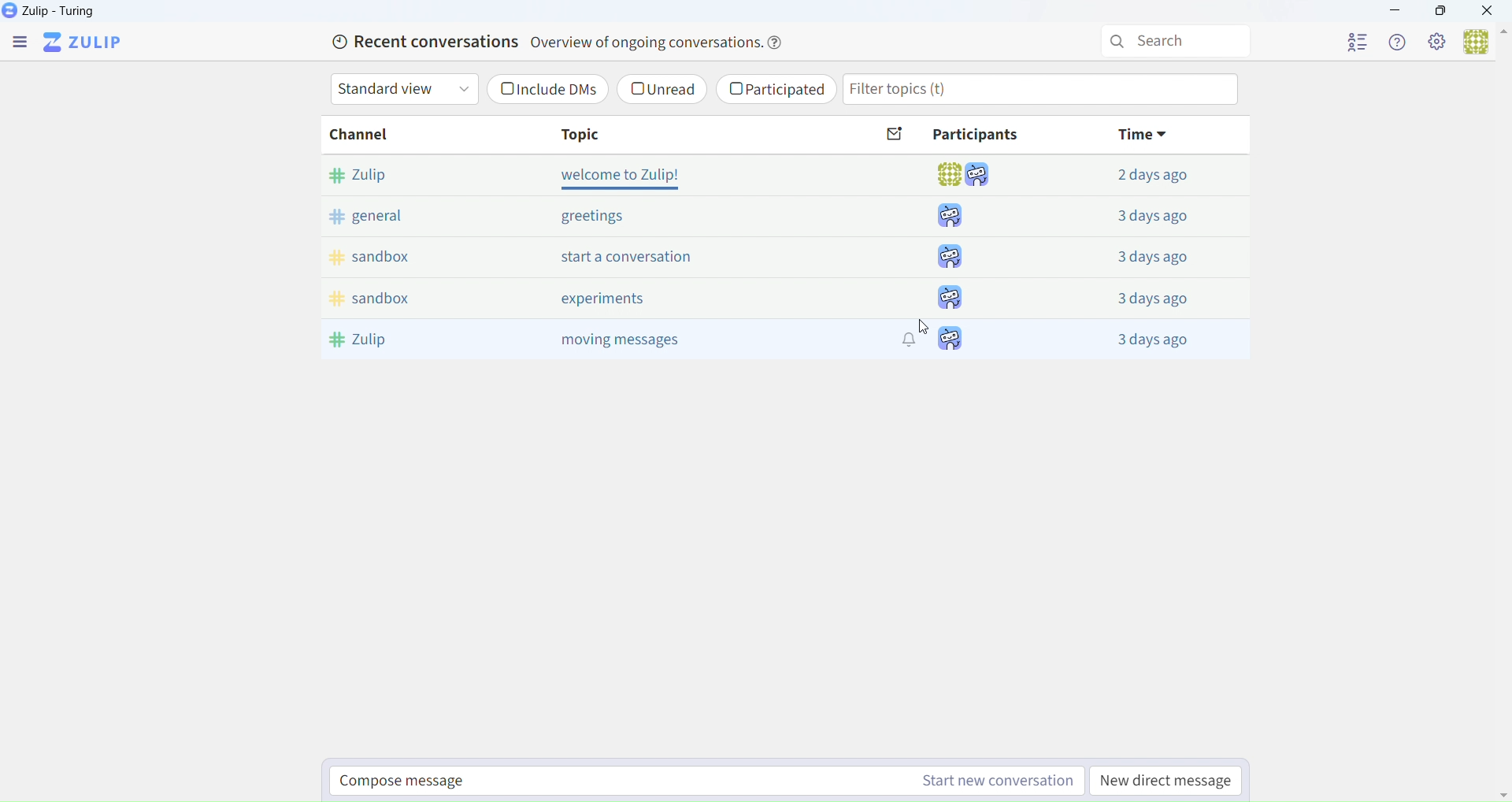  What do you see at coordinates (959, 214) in the screenshot?
I see `user profiles` at bounding box center [959, 214].